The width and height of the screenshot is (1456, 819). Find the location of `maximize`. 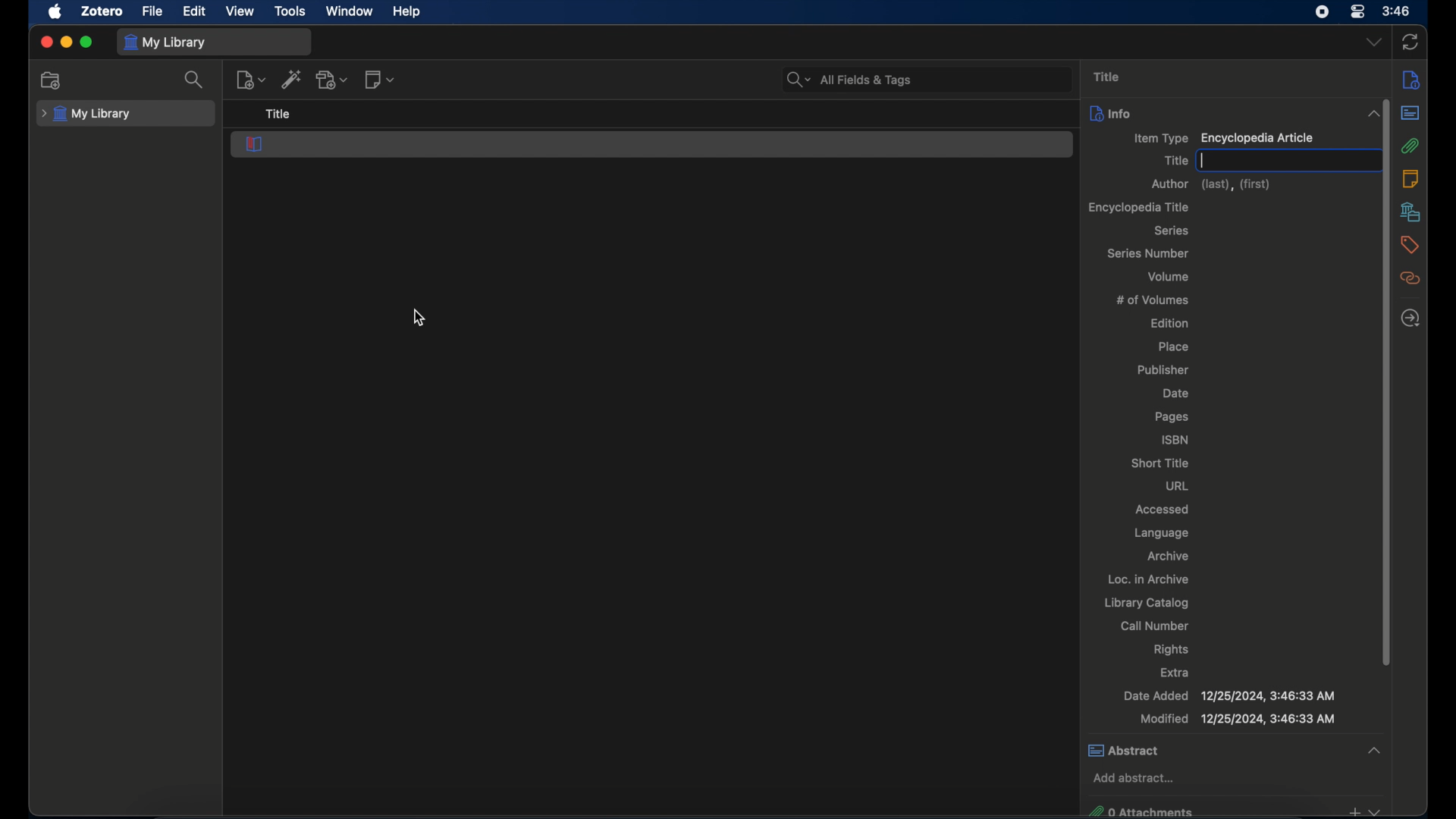

maximize is located at coordinates (86, 42).